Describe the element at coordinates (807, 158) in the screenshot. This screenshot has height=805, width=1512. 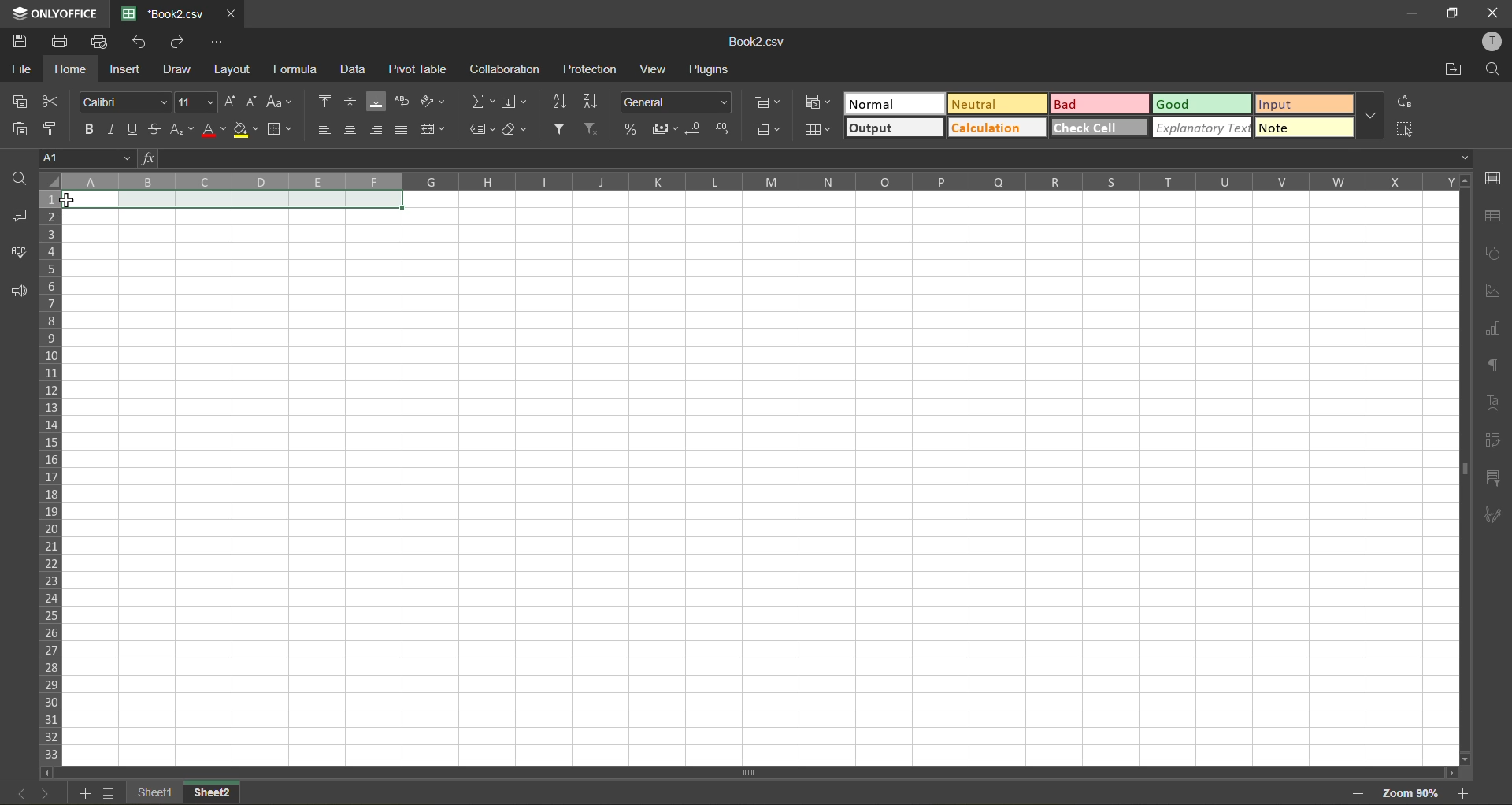
I see `formula bar` at that location.